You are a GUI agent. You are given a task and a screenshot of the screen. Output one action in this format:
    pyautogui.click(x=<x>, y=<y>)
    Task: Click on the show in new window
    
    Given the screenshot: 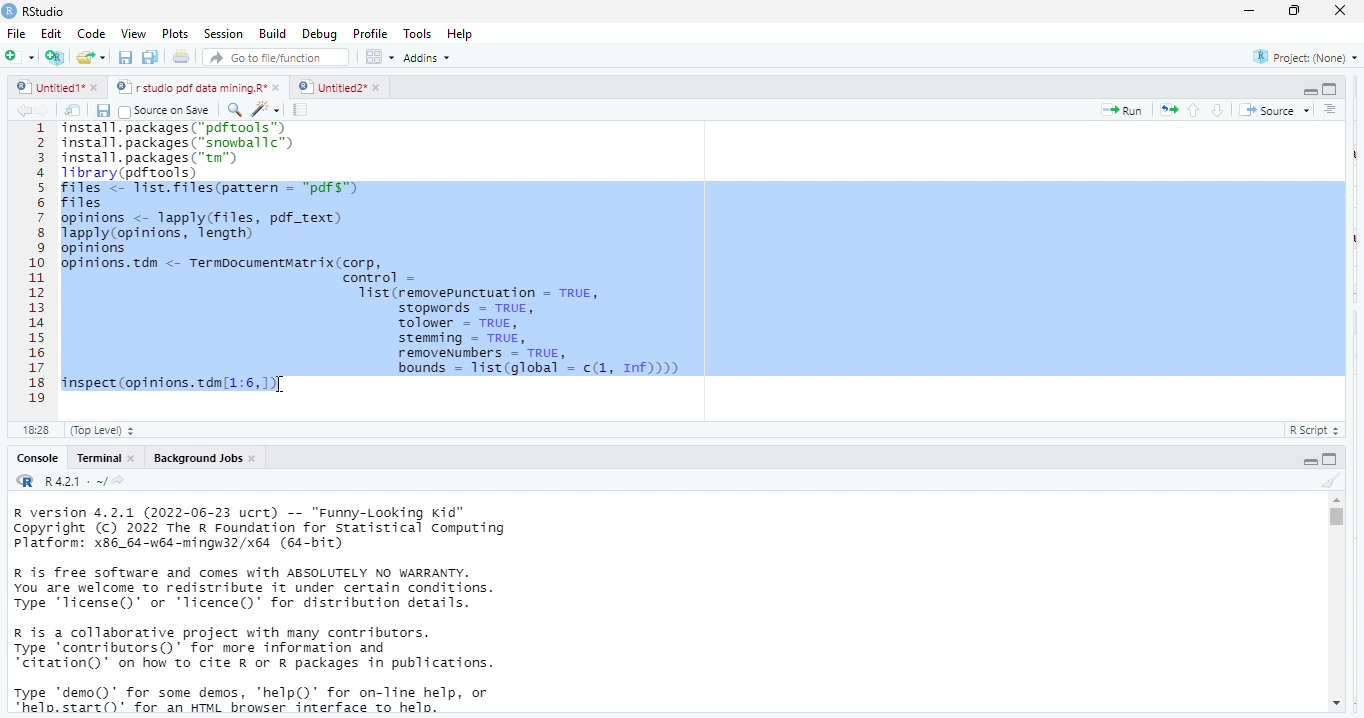 What is the action you would take?
    pyautogui.click(x=75, y=110)
    